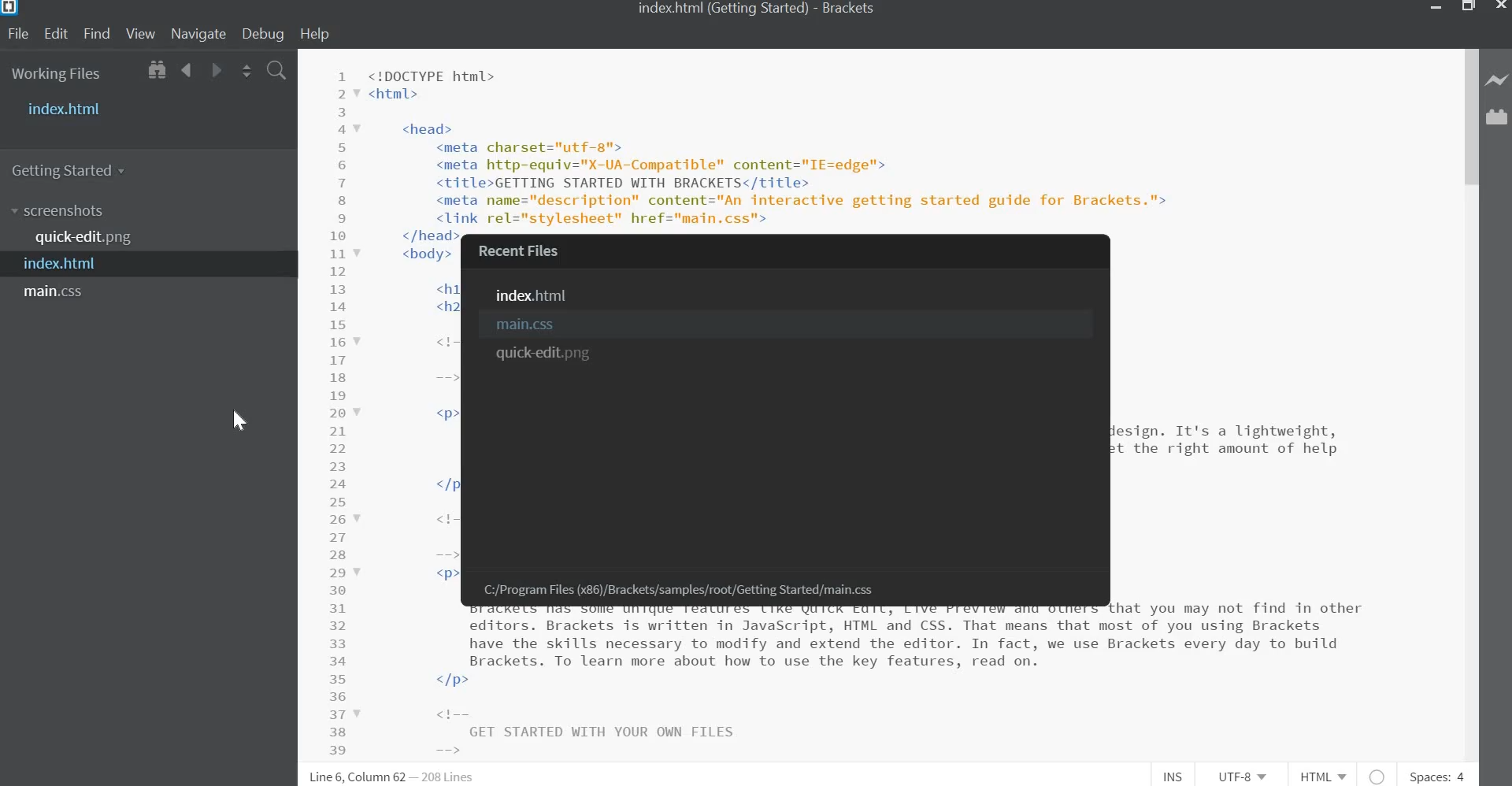 This screenshot has height=786, width=1512. Describe the element at coordinates (246, 72) in the screenshot. I see `Split the Editor Vertically or Horizontally` at that location.